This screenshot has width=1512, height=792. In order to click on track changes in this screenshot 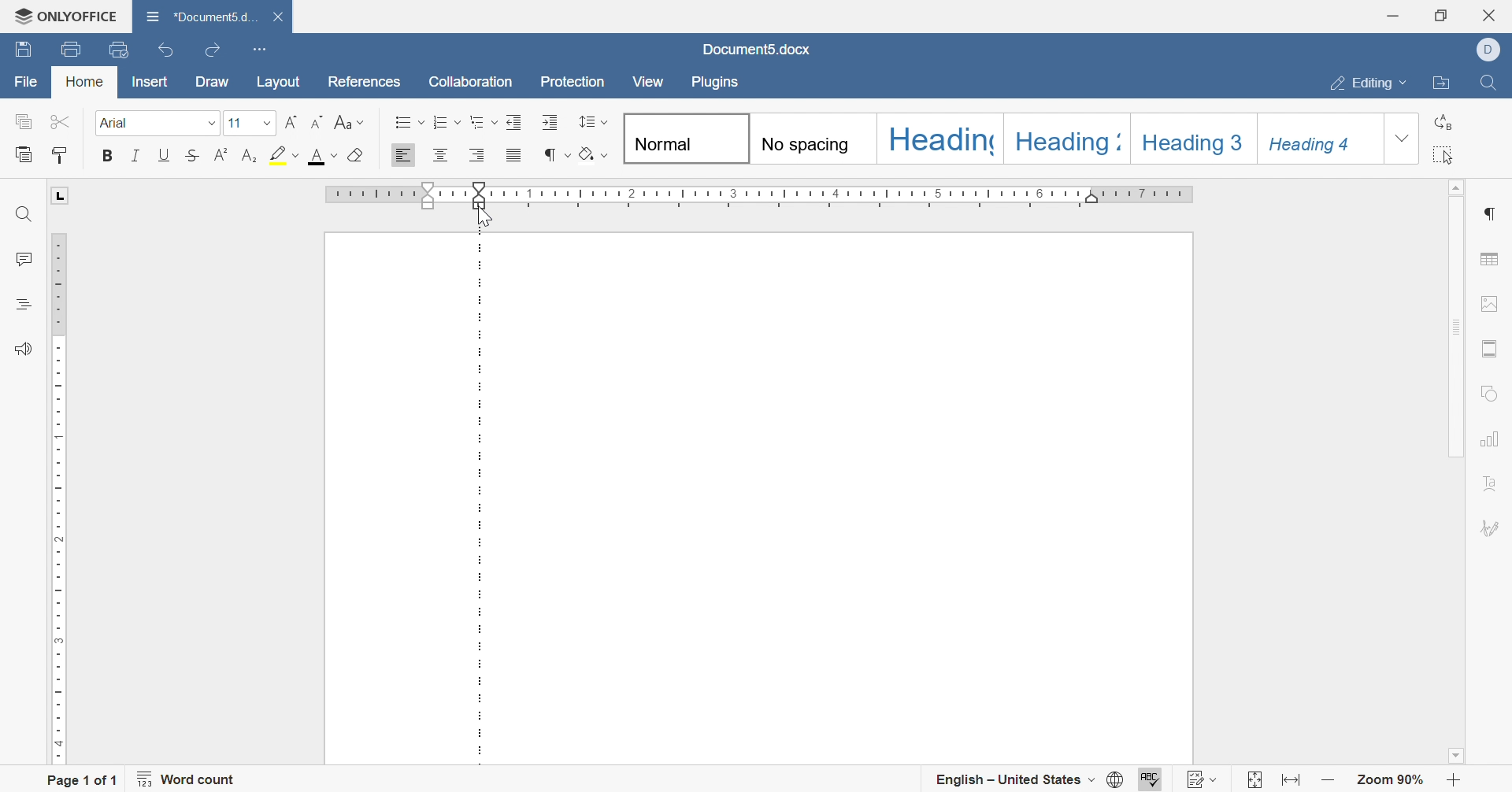, I will do `click(1205, 779)`.